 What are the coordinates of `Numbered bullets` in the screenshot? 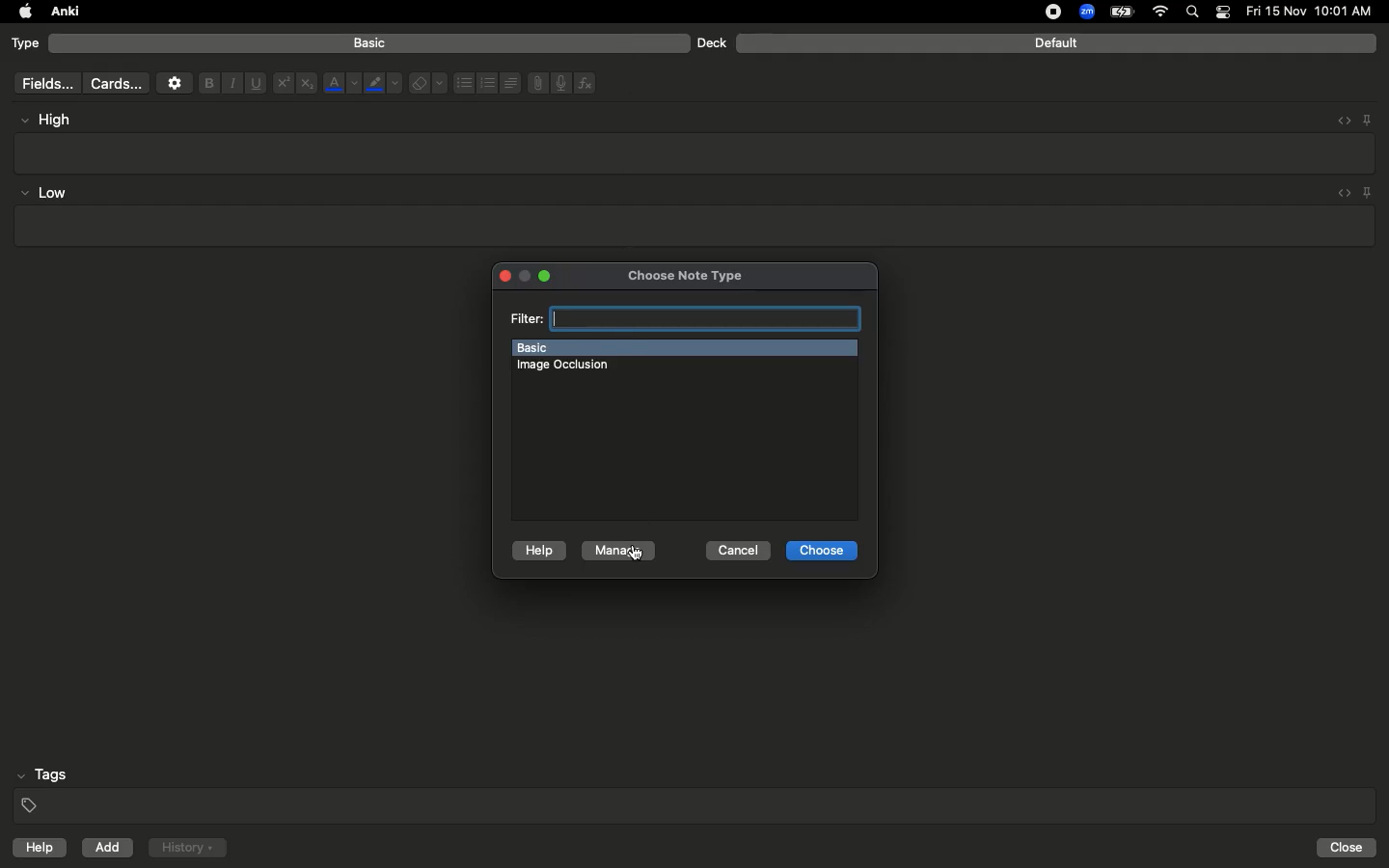 It's located at (488, 83).